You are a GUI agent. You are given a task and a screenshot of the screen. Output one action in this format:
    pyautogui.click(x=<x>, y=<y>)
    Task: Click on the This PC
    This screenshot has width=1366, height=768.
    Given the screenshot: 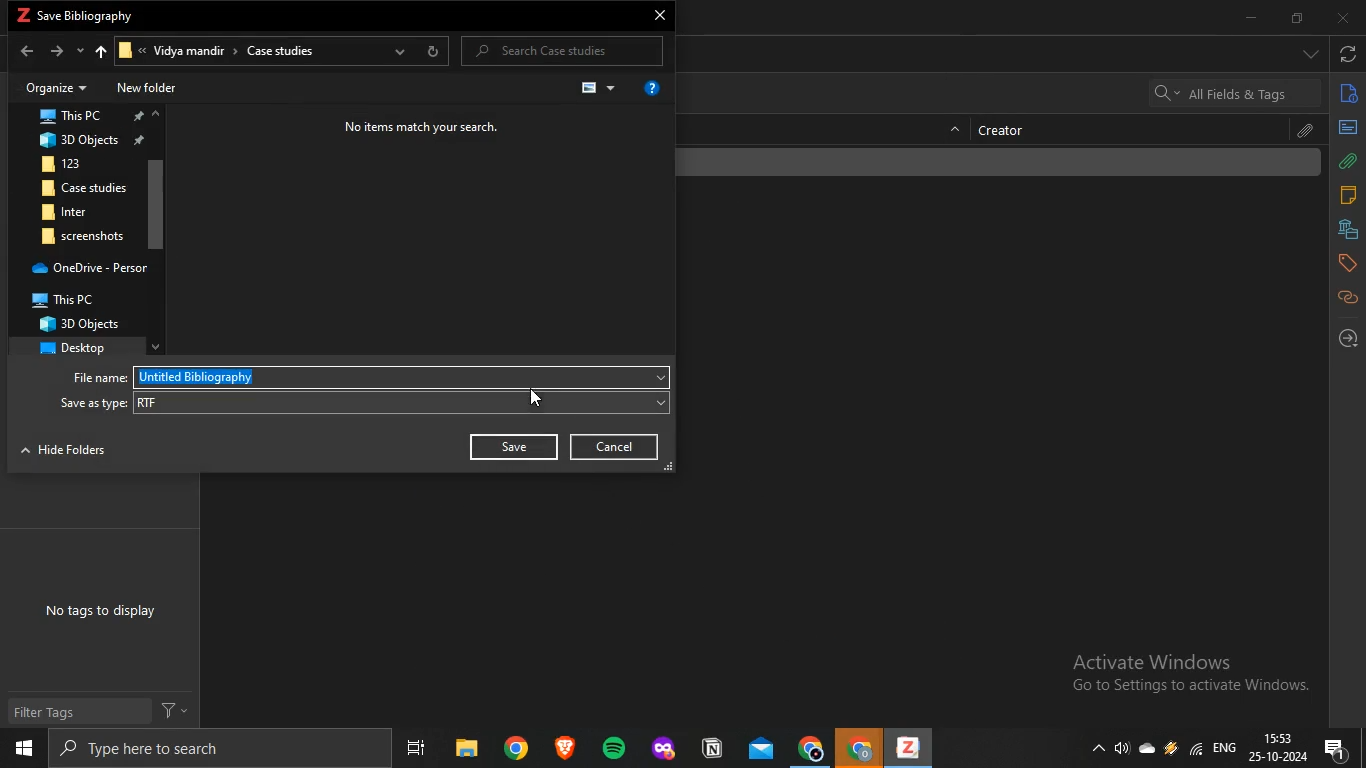 What is the action you would take?
    pyautogui.click(x=100, y=117)
    